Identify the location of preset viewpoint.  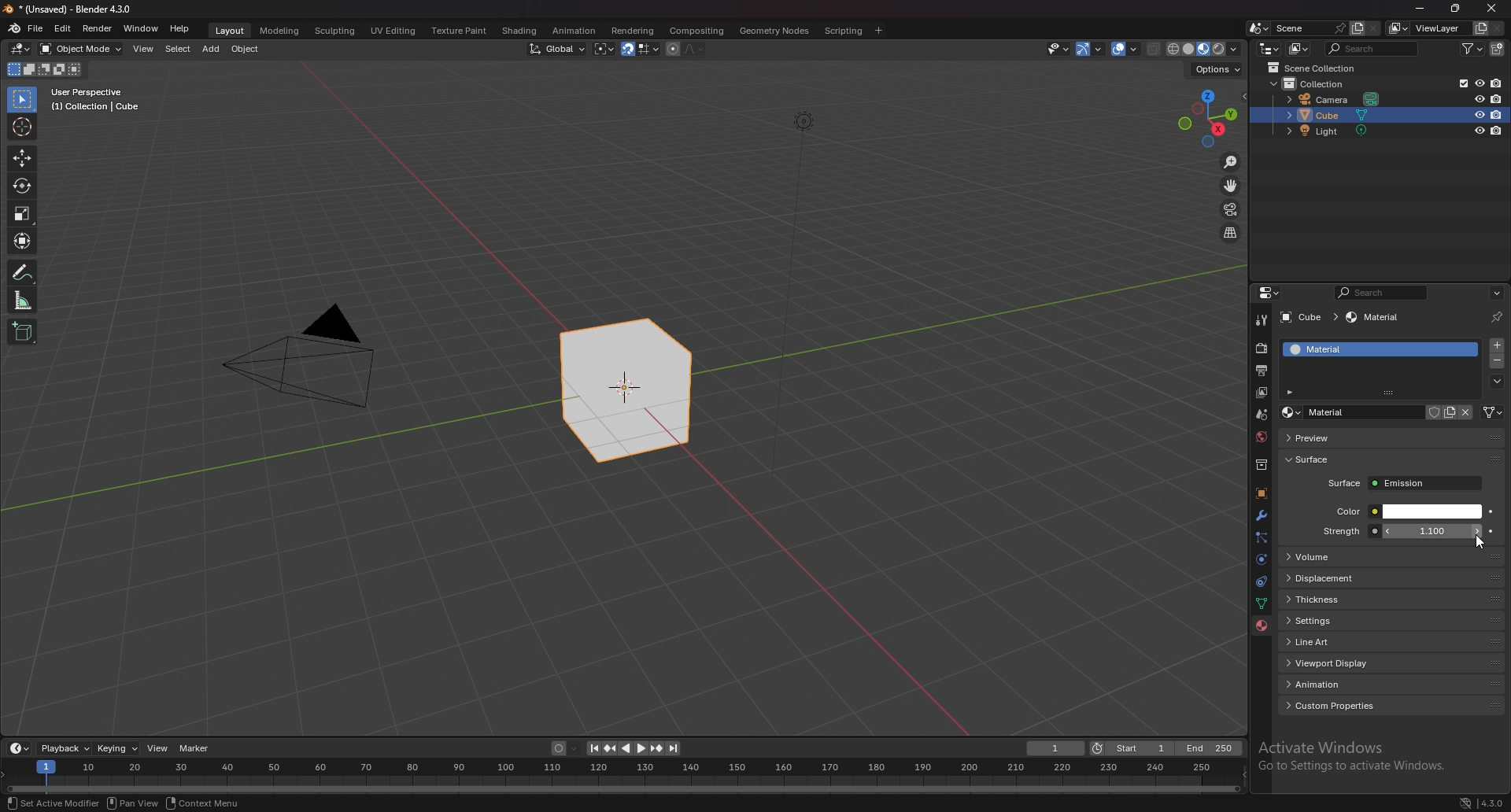
(1208, 118).